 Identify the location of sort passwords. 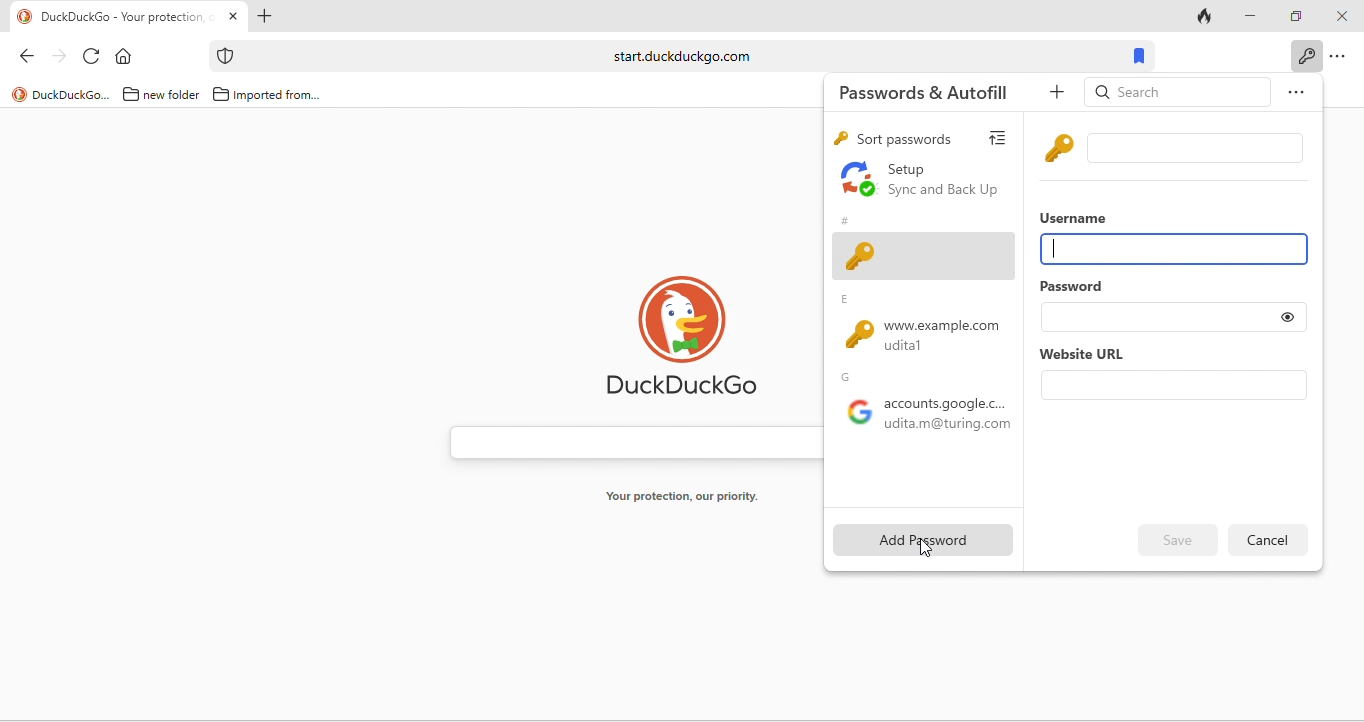
(905, 139).